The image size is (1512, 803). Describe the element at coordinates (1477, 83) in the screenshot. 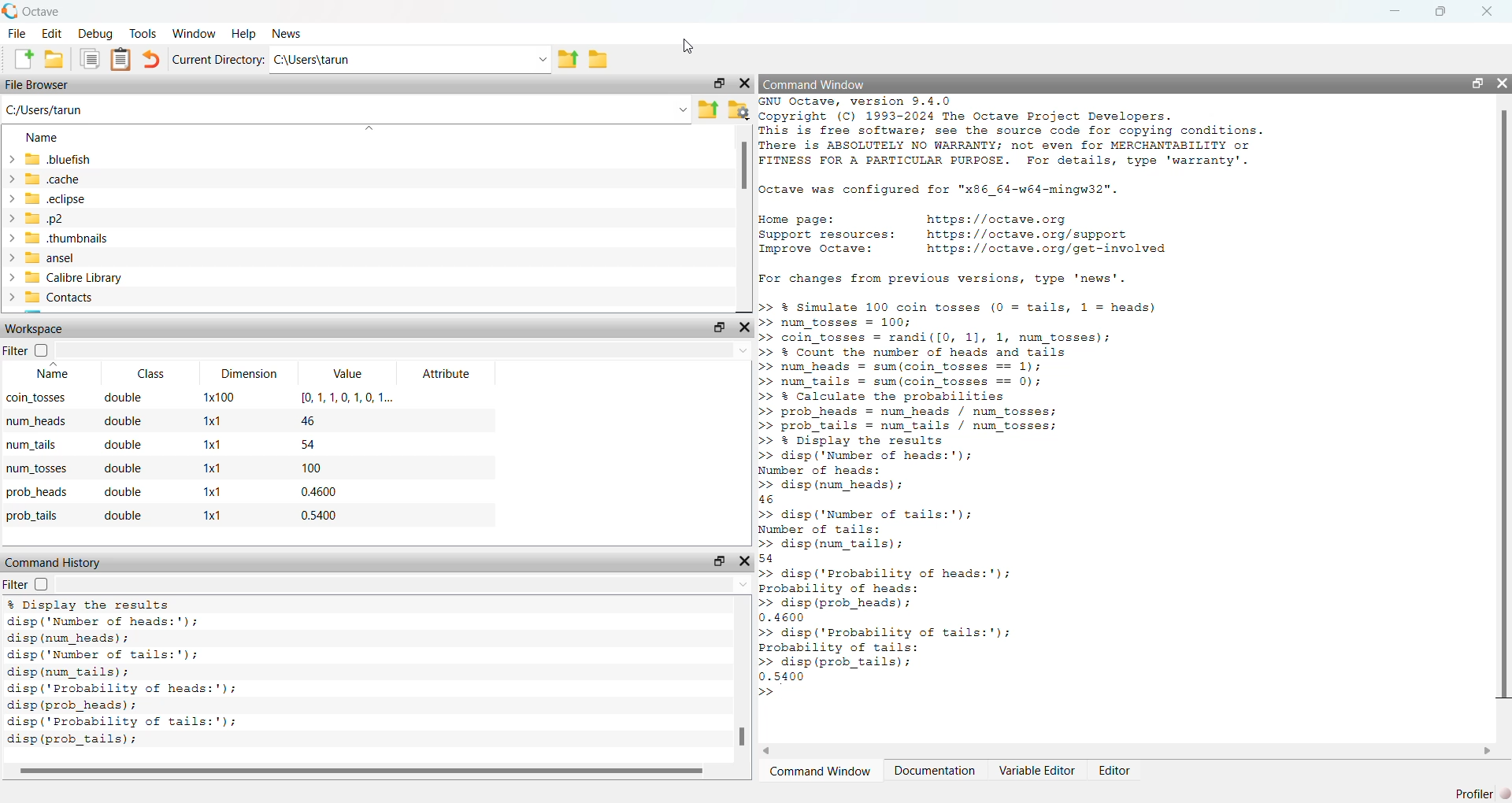

I see `maximize` at that location.